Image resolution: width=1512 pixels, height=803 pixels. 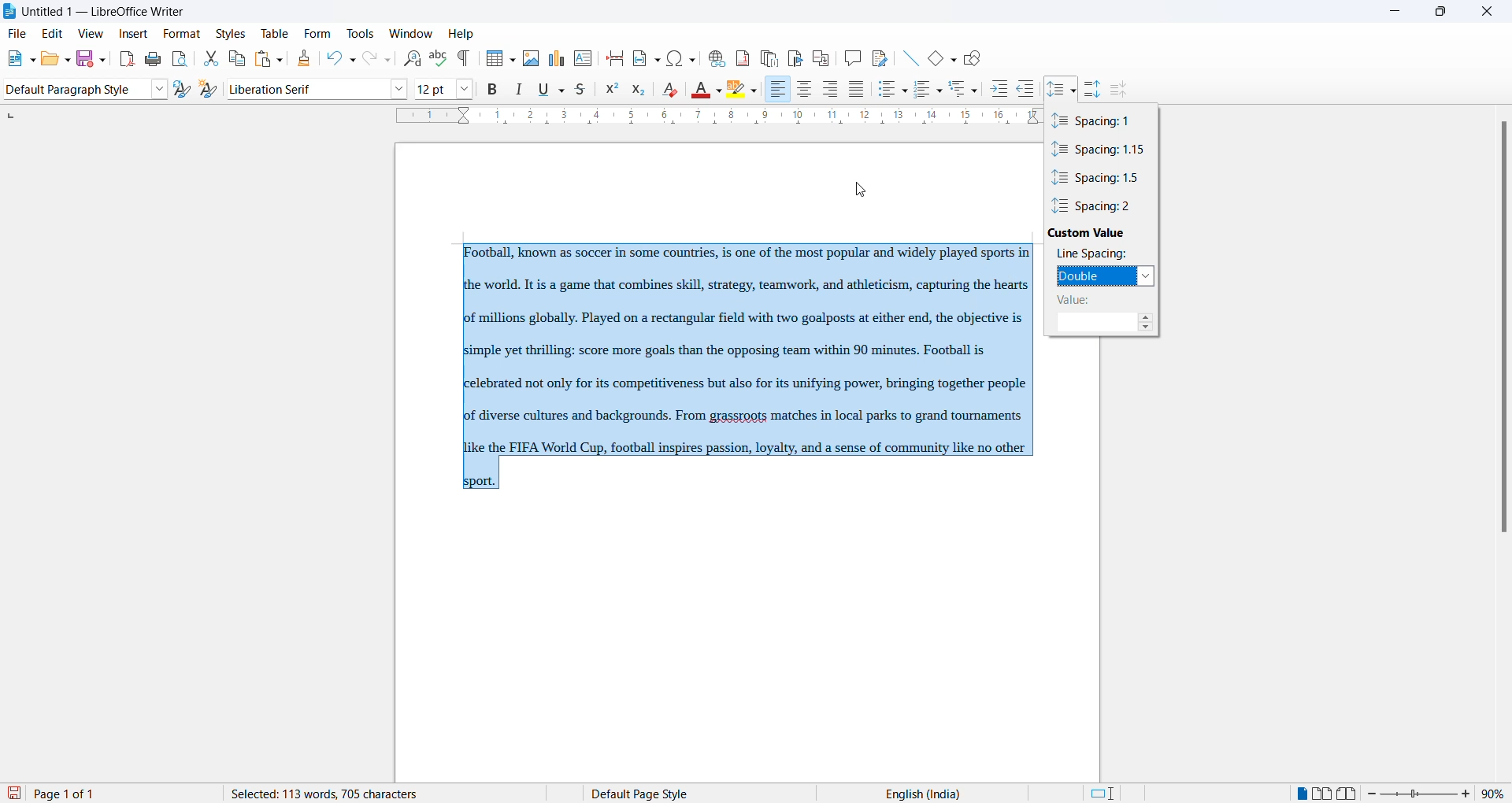 I want to click on scrollbar, so click(x=1496, y=331).